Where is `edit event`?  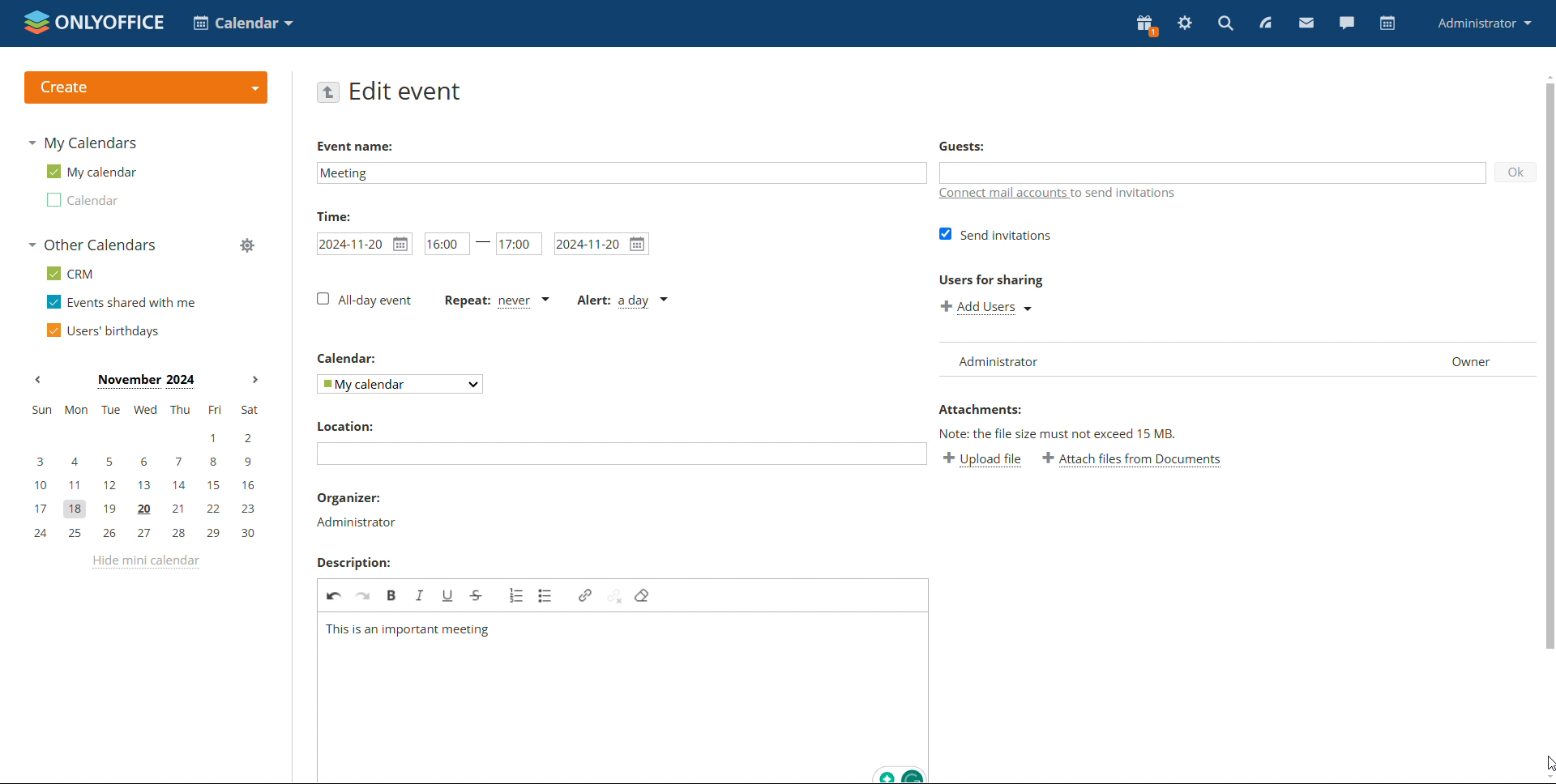
edit event is located at coordinates (406, 93).